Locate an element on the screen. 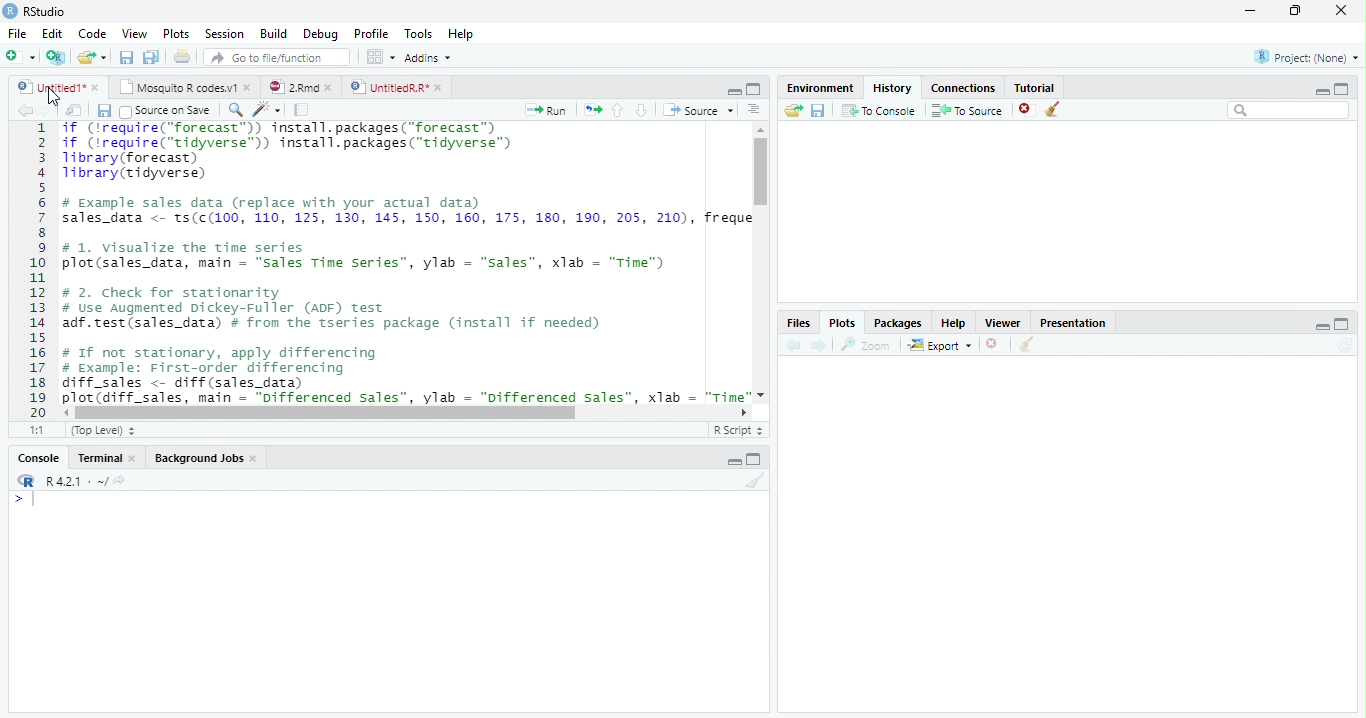  Refresh is located at coordinates (1345, 346).